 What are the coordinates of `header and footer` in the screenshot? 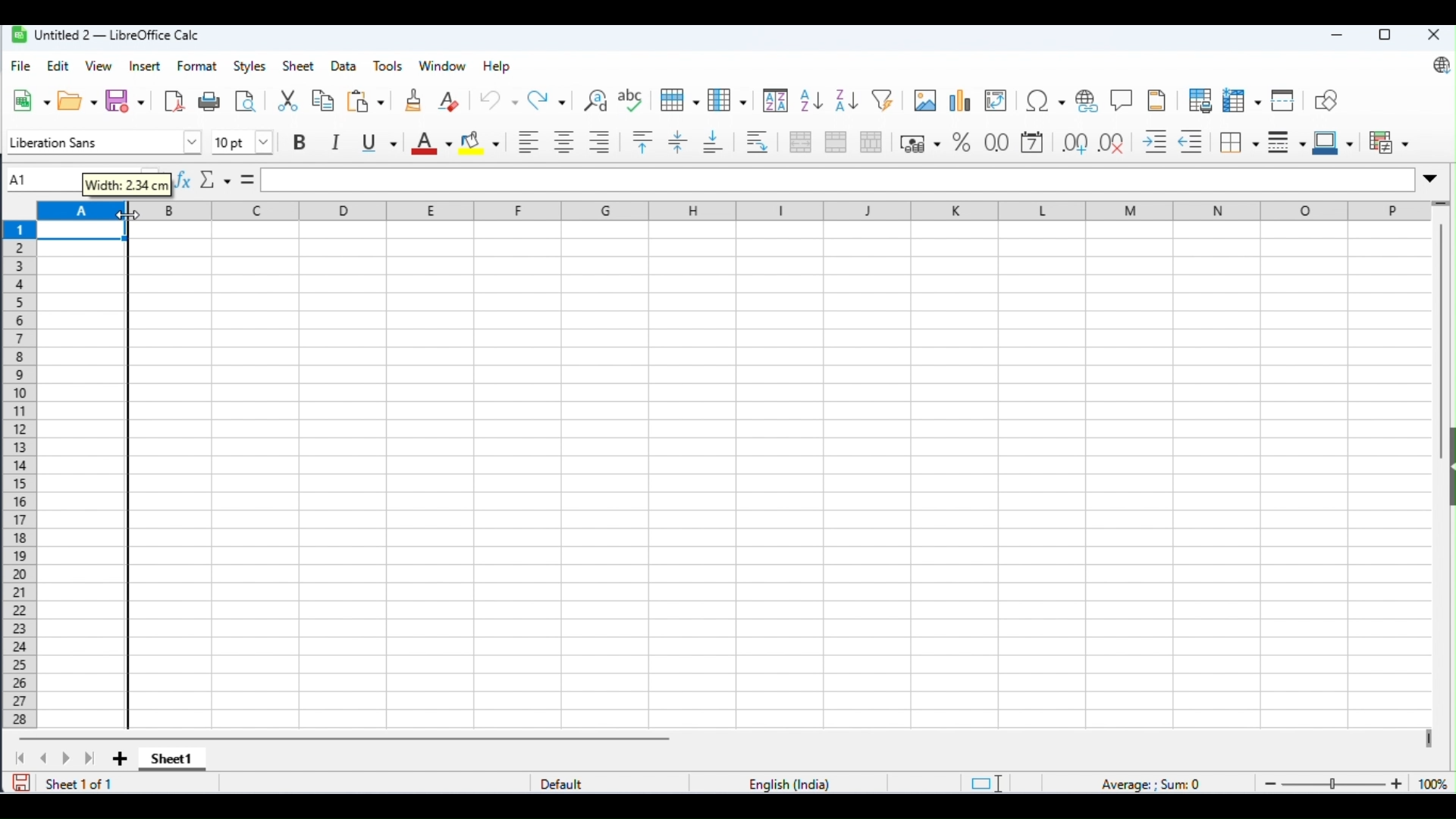 It's located at (1159, 100).